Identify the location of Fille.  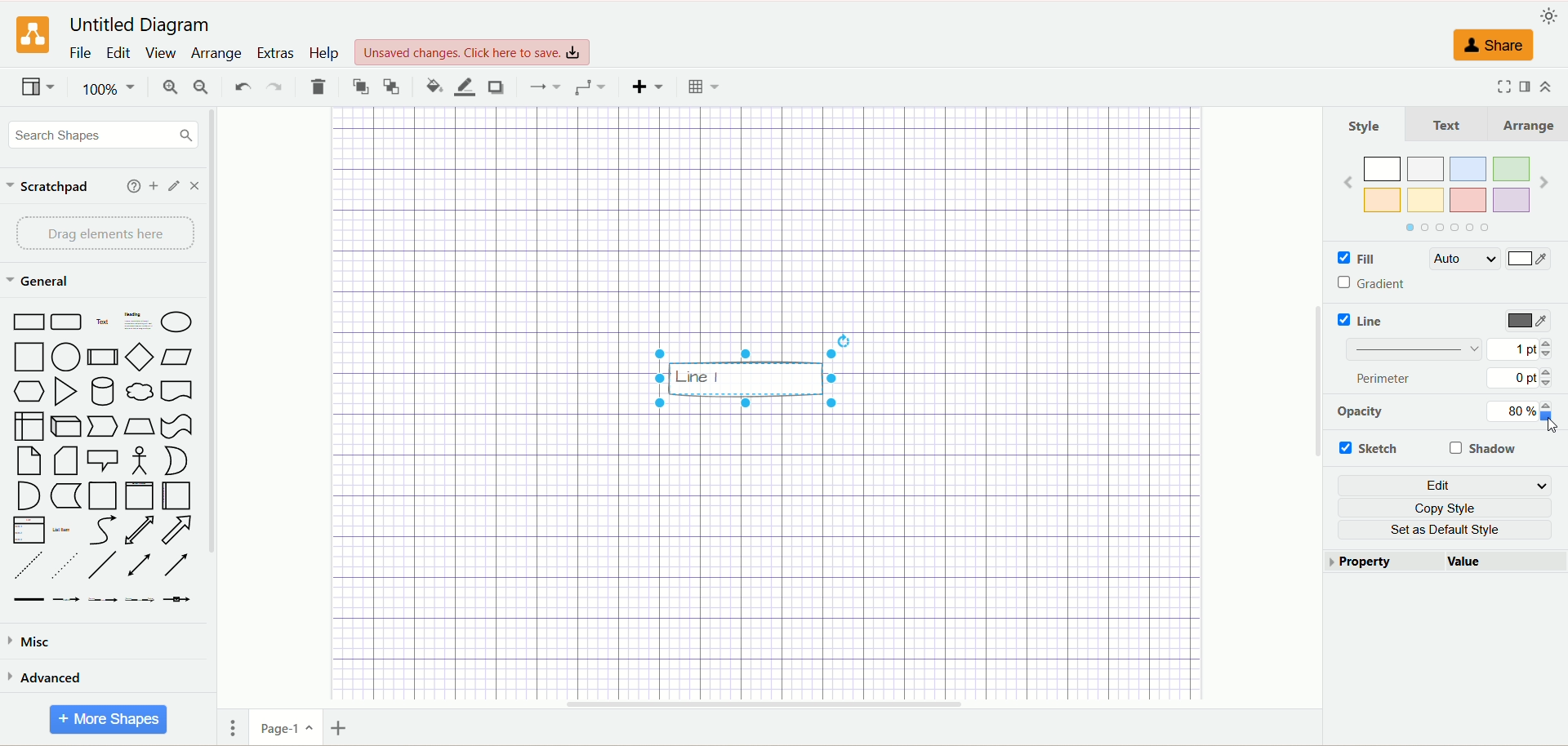
(1378, 260).